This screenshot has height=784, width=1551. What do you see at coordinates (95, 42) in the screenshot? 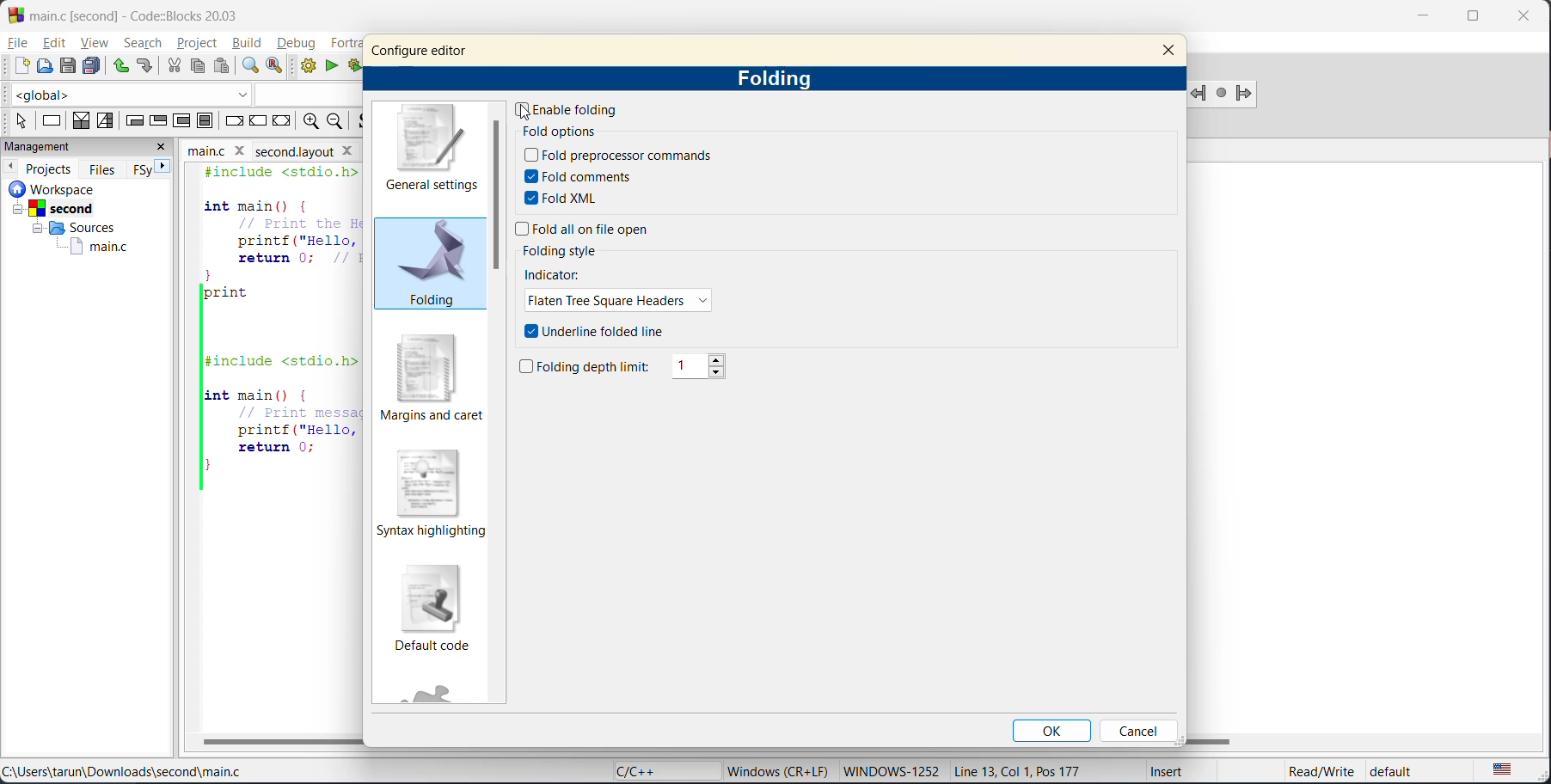
I see `view` at bounding box center [95, 42].